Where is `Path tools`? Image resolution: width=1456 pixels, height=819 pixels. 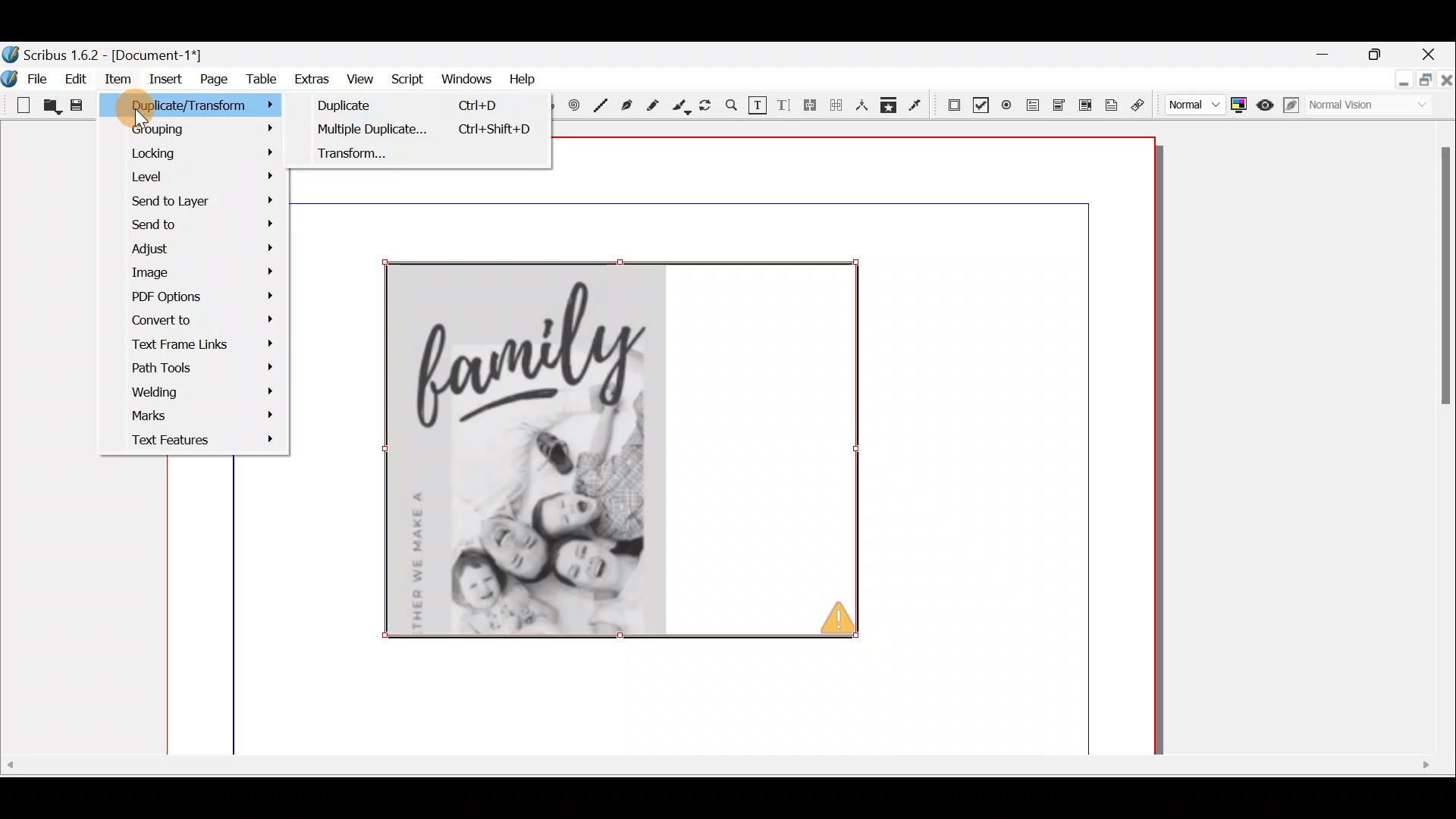
Path tools is located at coordinates (198, 370).